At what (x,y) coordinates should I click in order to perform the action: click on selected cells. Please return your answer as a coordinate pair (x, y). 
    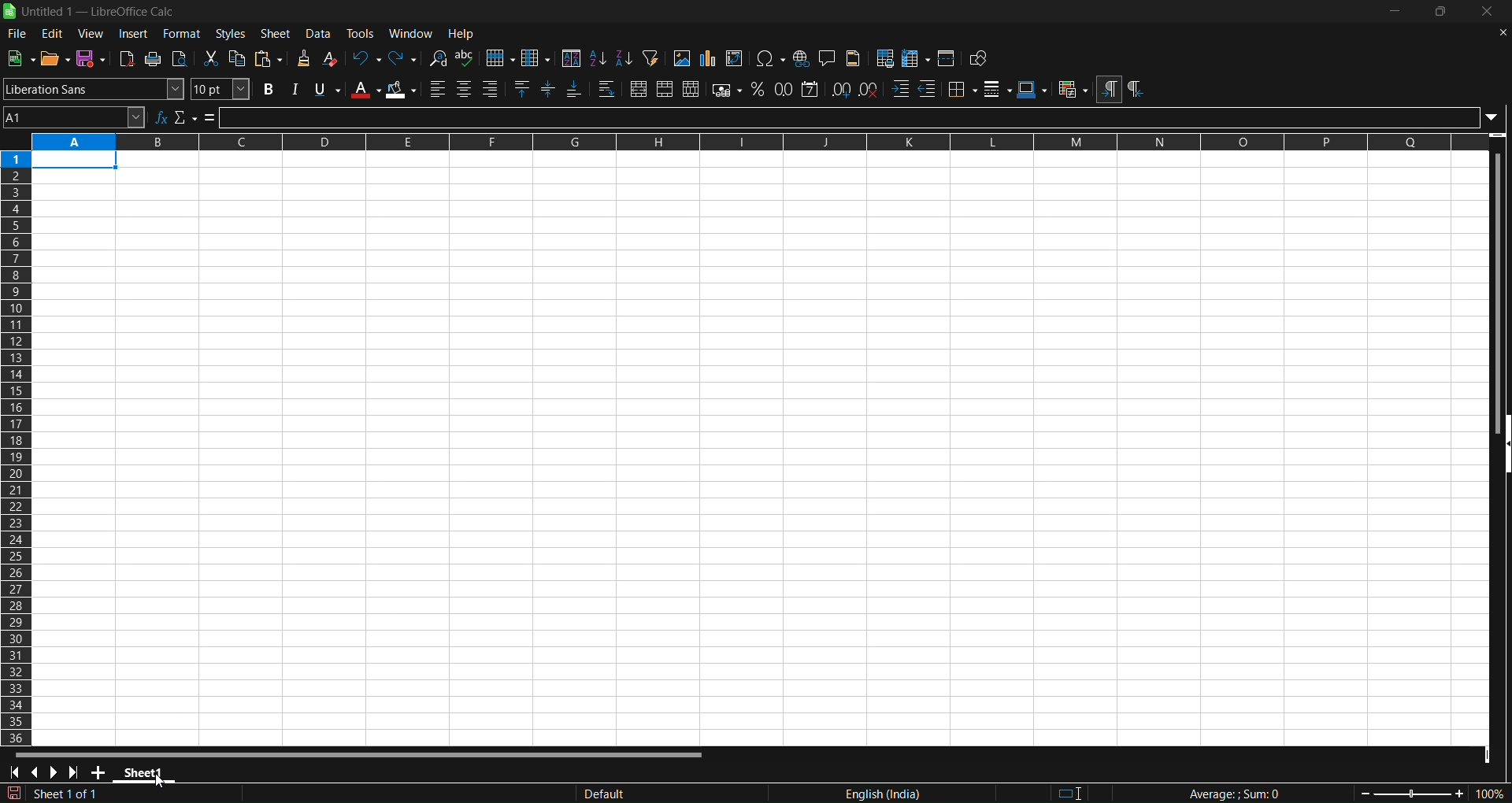
    Looking at the image, I should click on (75, 161).